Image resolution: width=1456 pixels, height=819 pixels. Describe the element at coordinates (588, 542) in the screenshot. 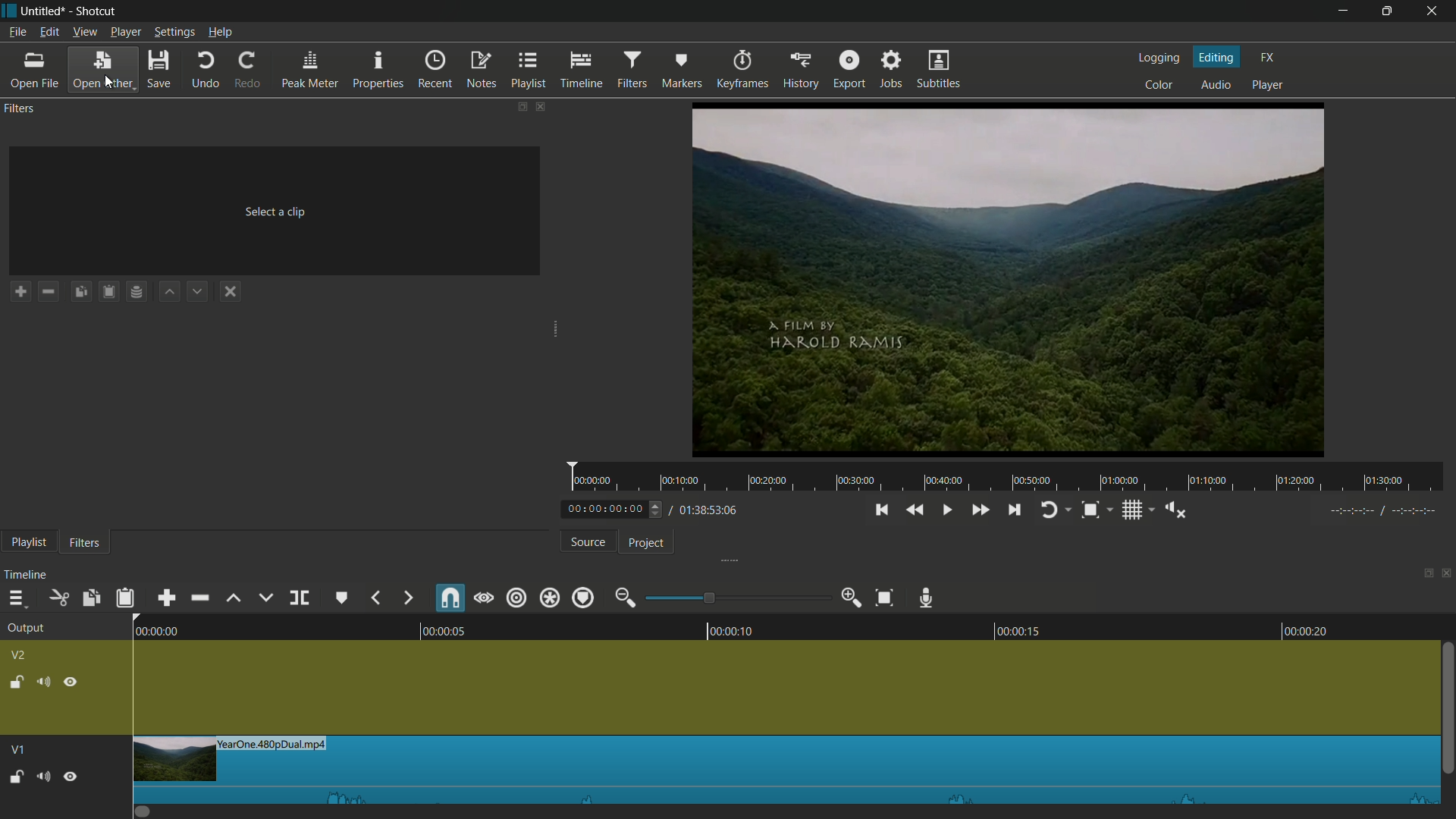

I see `source` at that location.